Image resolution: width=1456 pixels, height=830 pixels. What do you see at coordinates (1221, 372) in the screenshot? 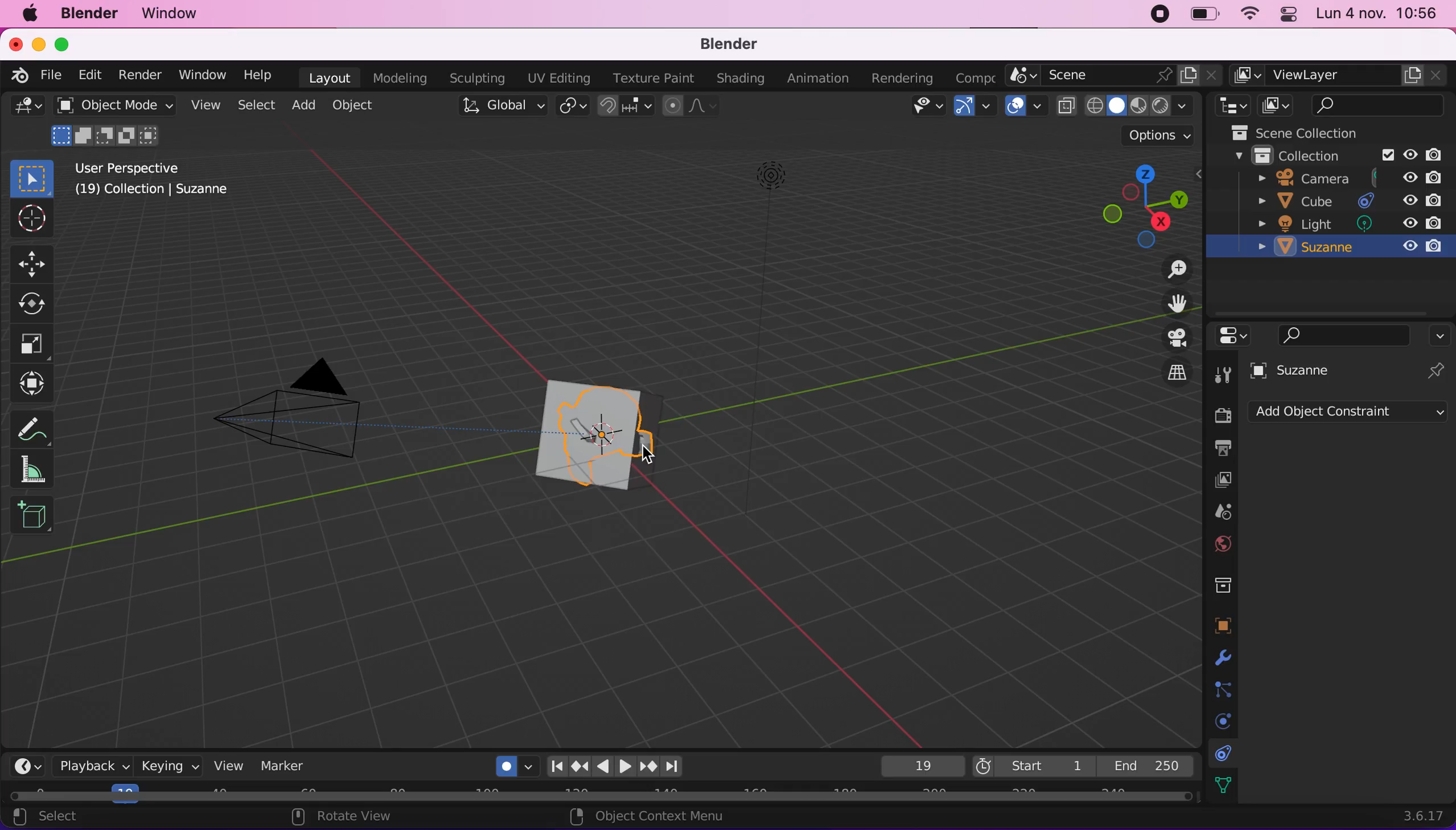
I see `tool` at bounding box center [1221, 372].